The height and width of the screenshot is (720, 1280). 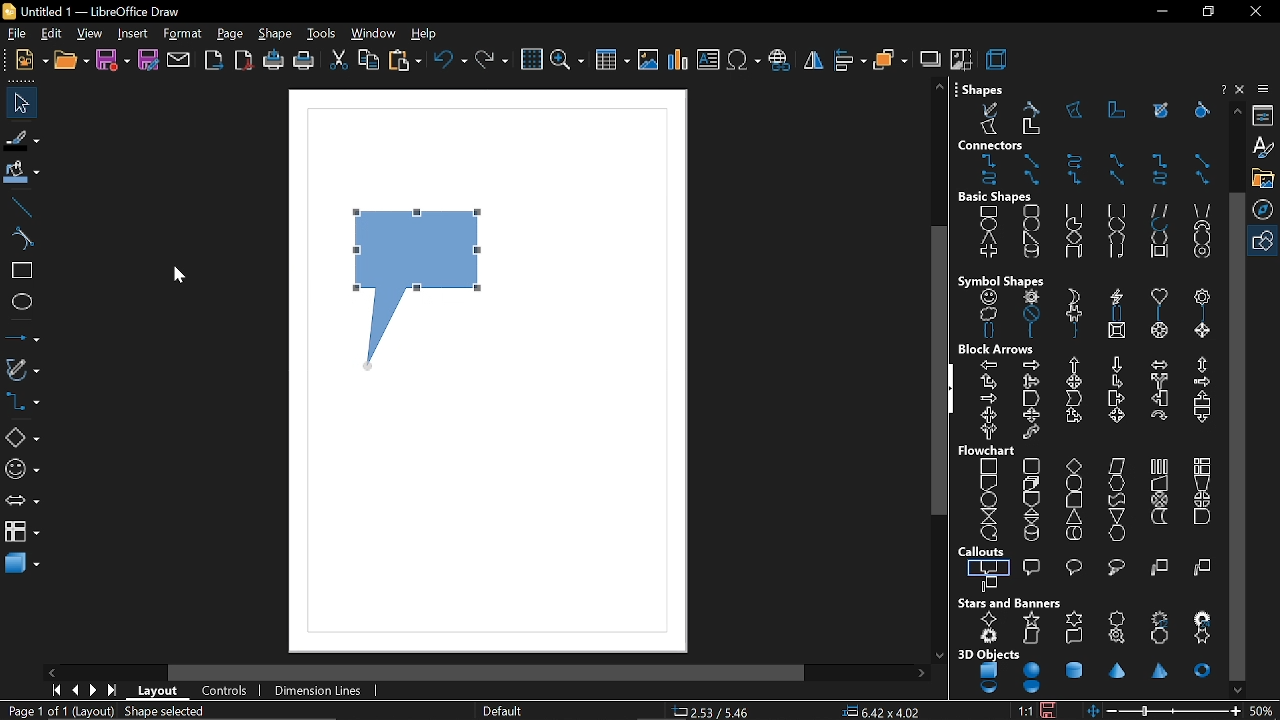 I want to click on resize shape, so click(x=161, y=711).